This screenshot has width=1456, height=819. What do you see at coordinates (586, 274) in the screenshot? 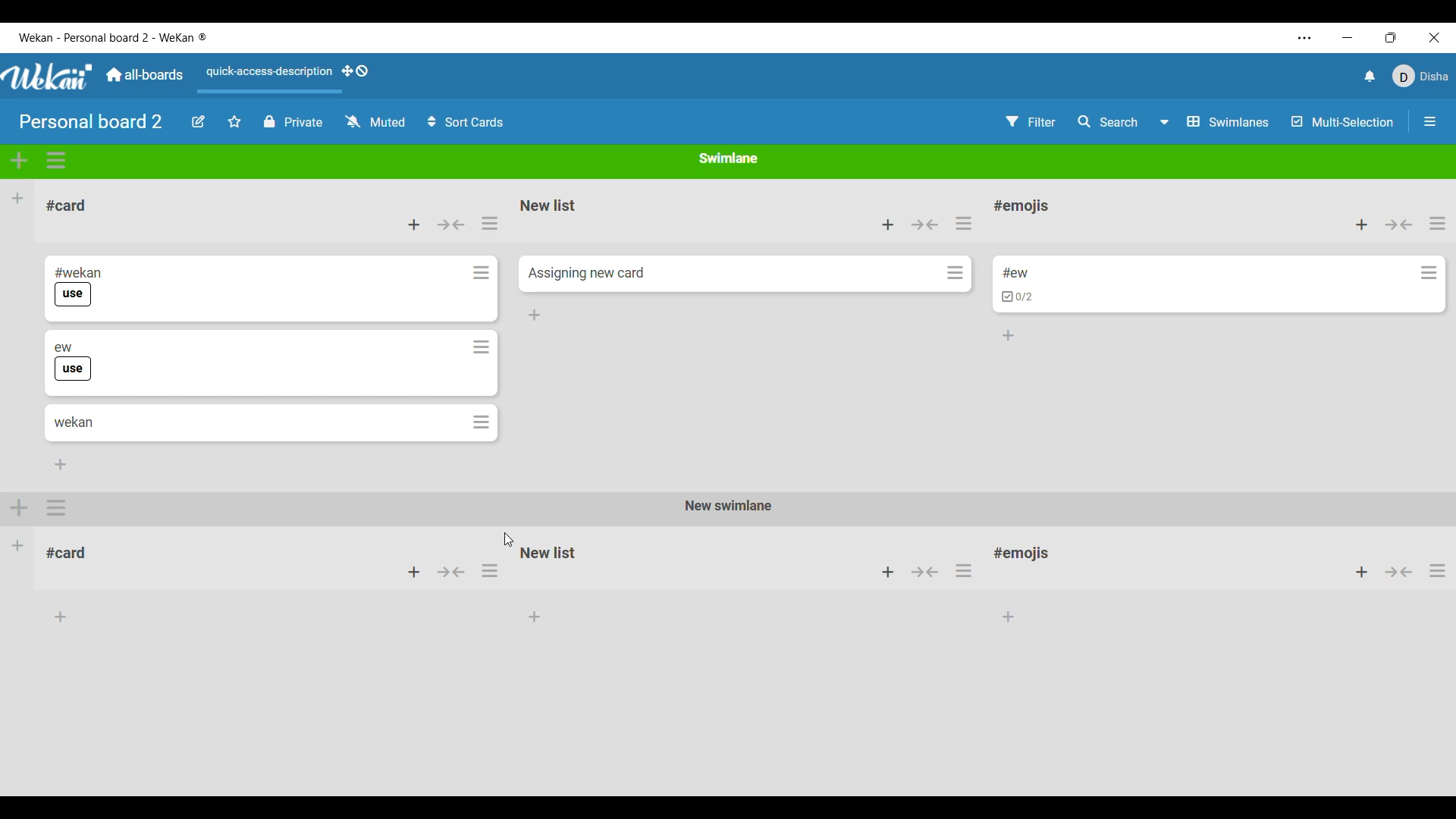
I see `Card name` at bounding box center [586, 274].